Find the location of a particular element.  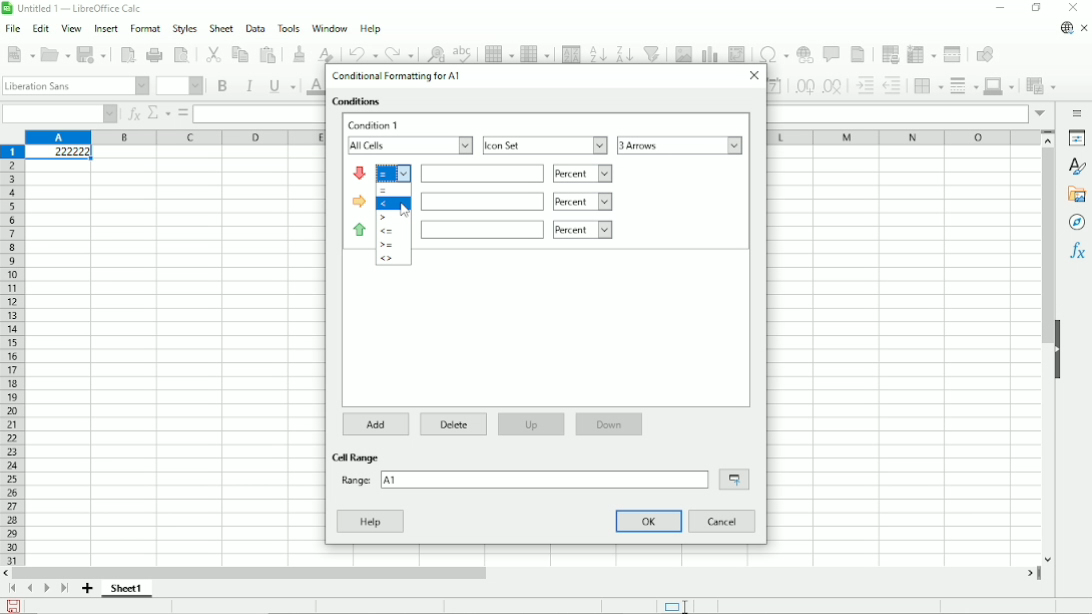

>= is located at coordinates (387, 245).